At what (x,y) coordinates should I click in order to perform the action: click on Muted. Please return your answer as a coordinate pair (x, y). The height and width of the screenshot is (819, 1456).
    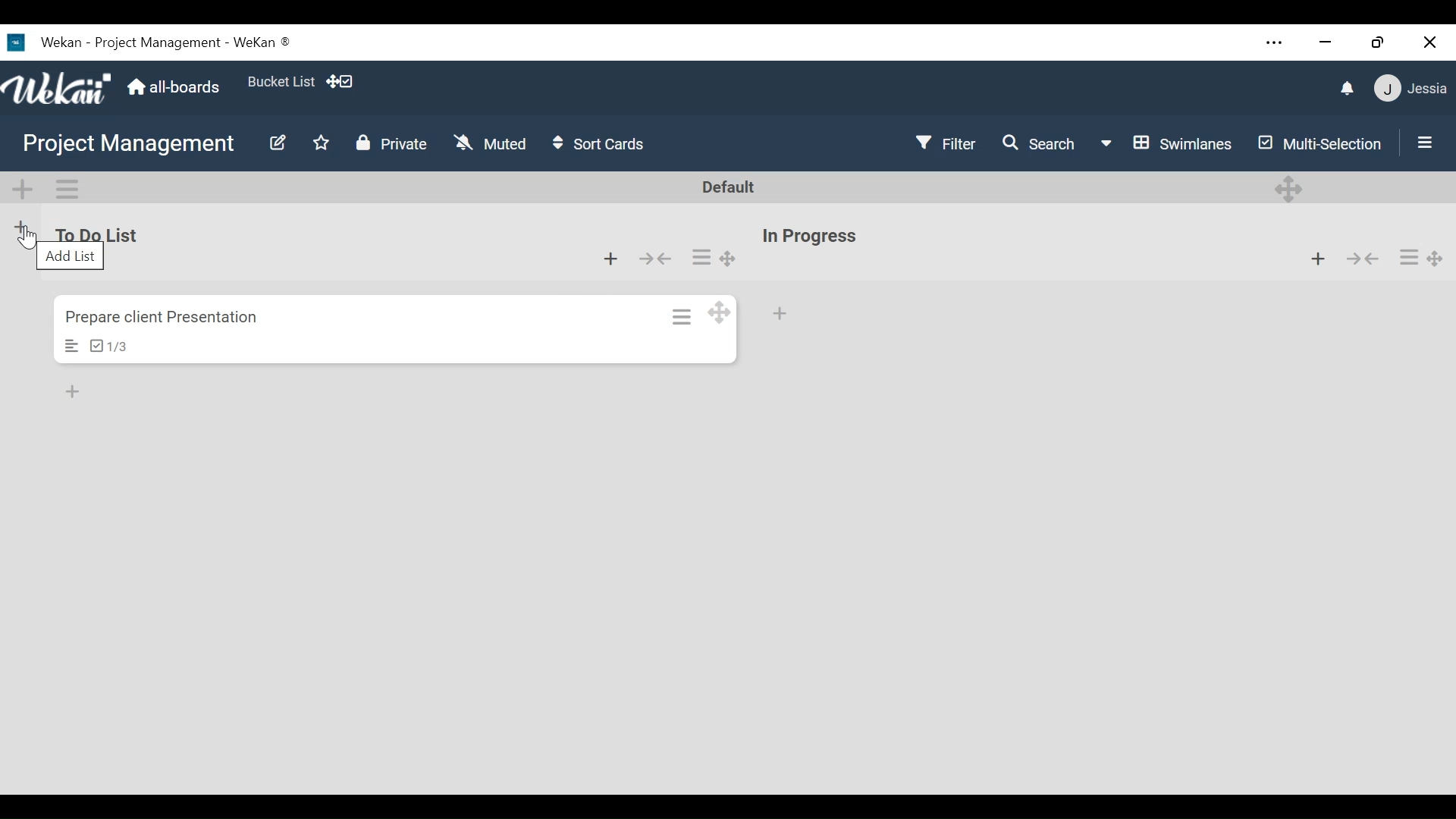
    Looking at the image, I should click on (492, 142).